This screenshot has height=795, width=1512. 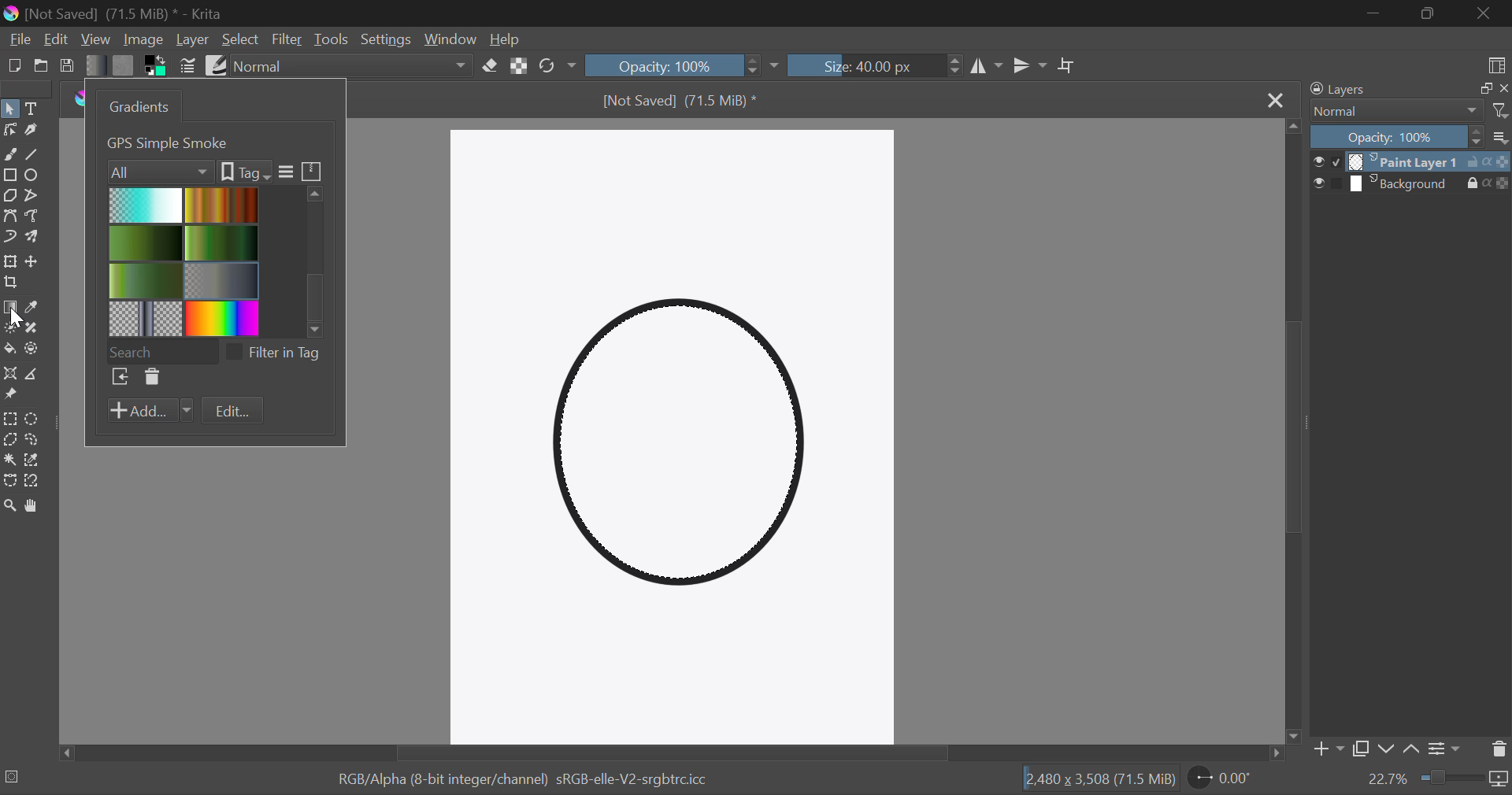 What do you see at coordinates (1410, 749) in the screenshot?
I see `Move layer up` at bounding box center [1410, 749].